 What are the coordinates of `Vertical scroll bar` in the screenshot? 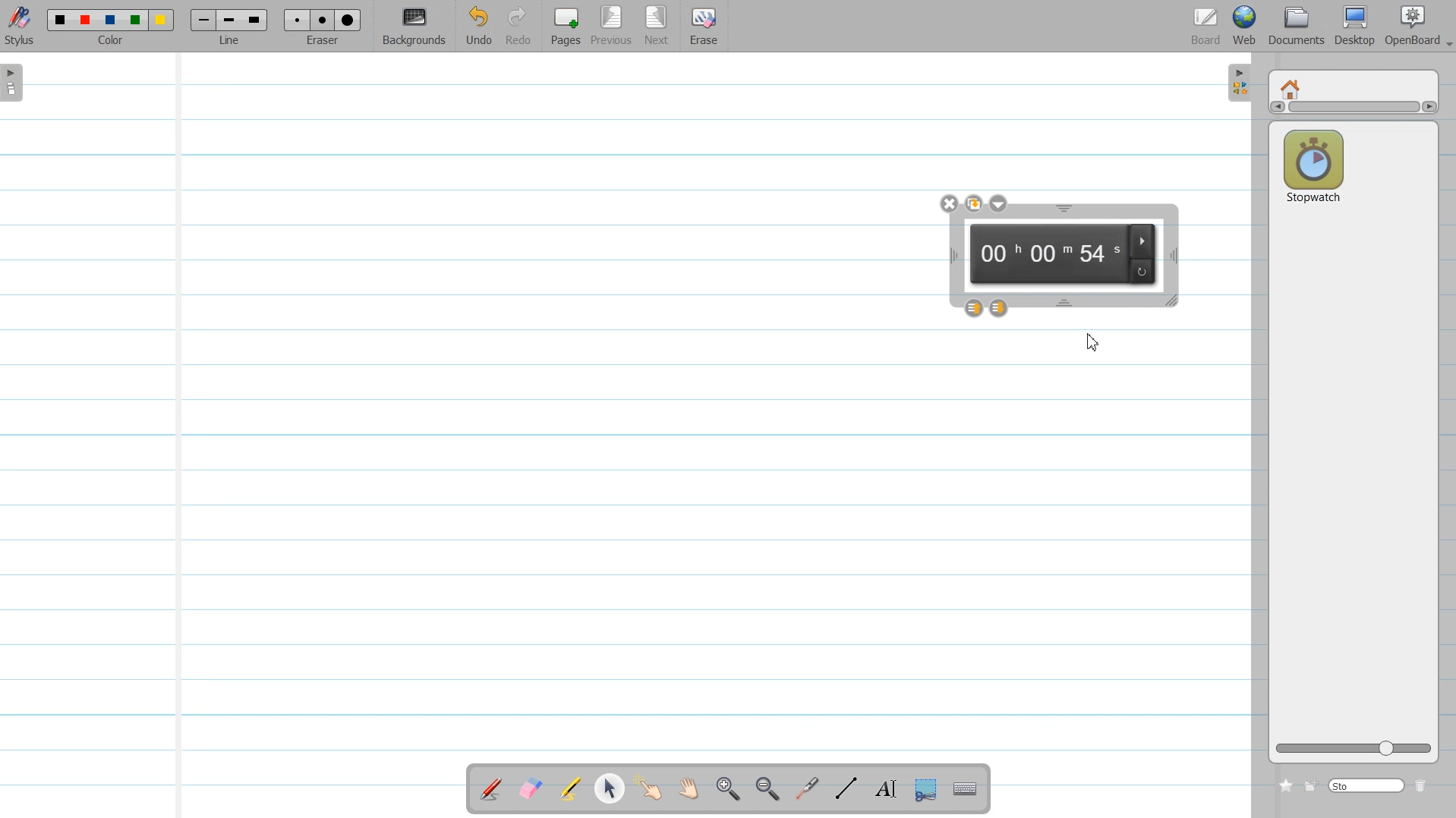 It's located at (1353, 109).